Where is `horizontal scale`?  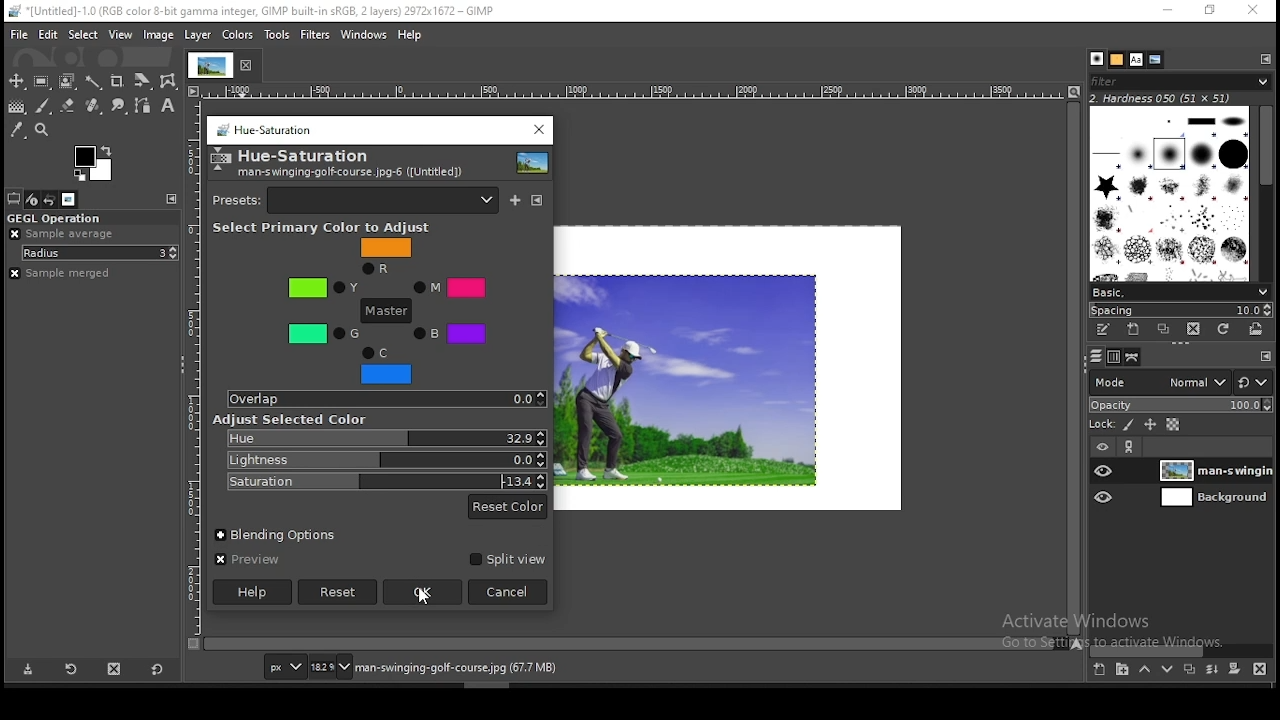
horizontal scale is located at coordinates (195, 369).